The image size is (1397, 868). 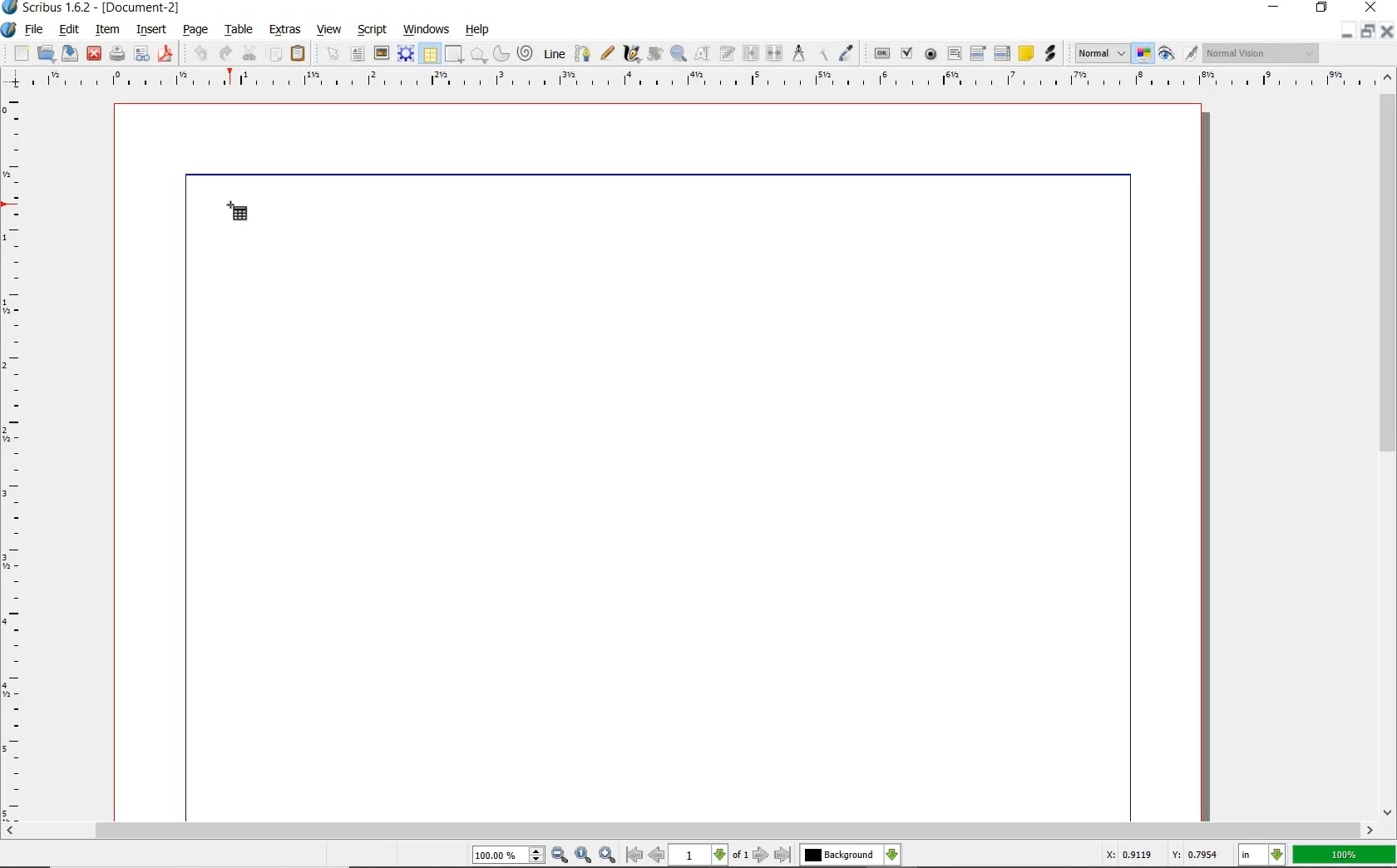 I want to click on script, so click(x=373, y=31).